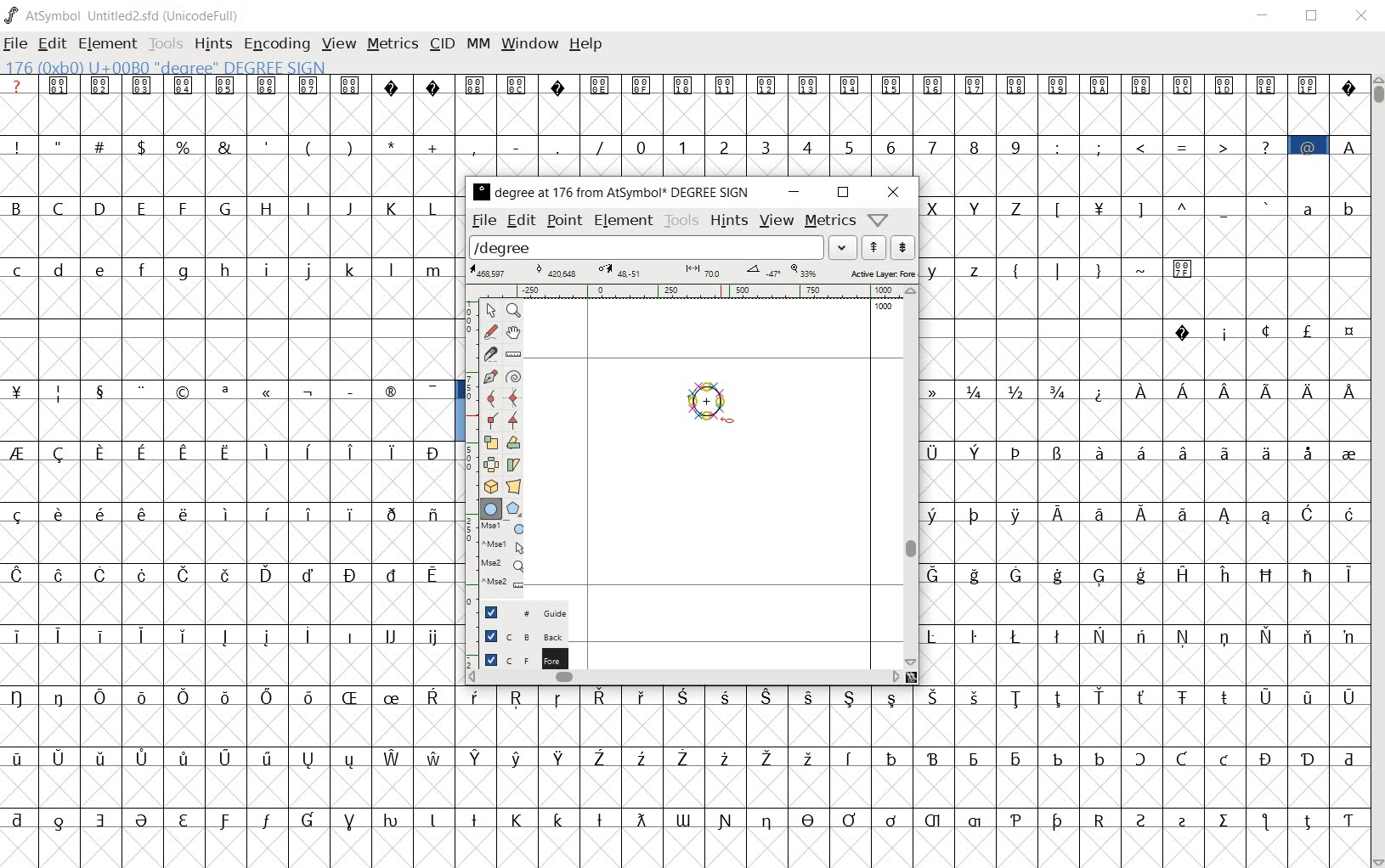 This screenshot has width=1385, height=868. I want to click on scrollbar, so click(683, 679).